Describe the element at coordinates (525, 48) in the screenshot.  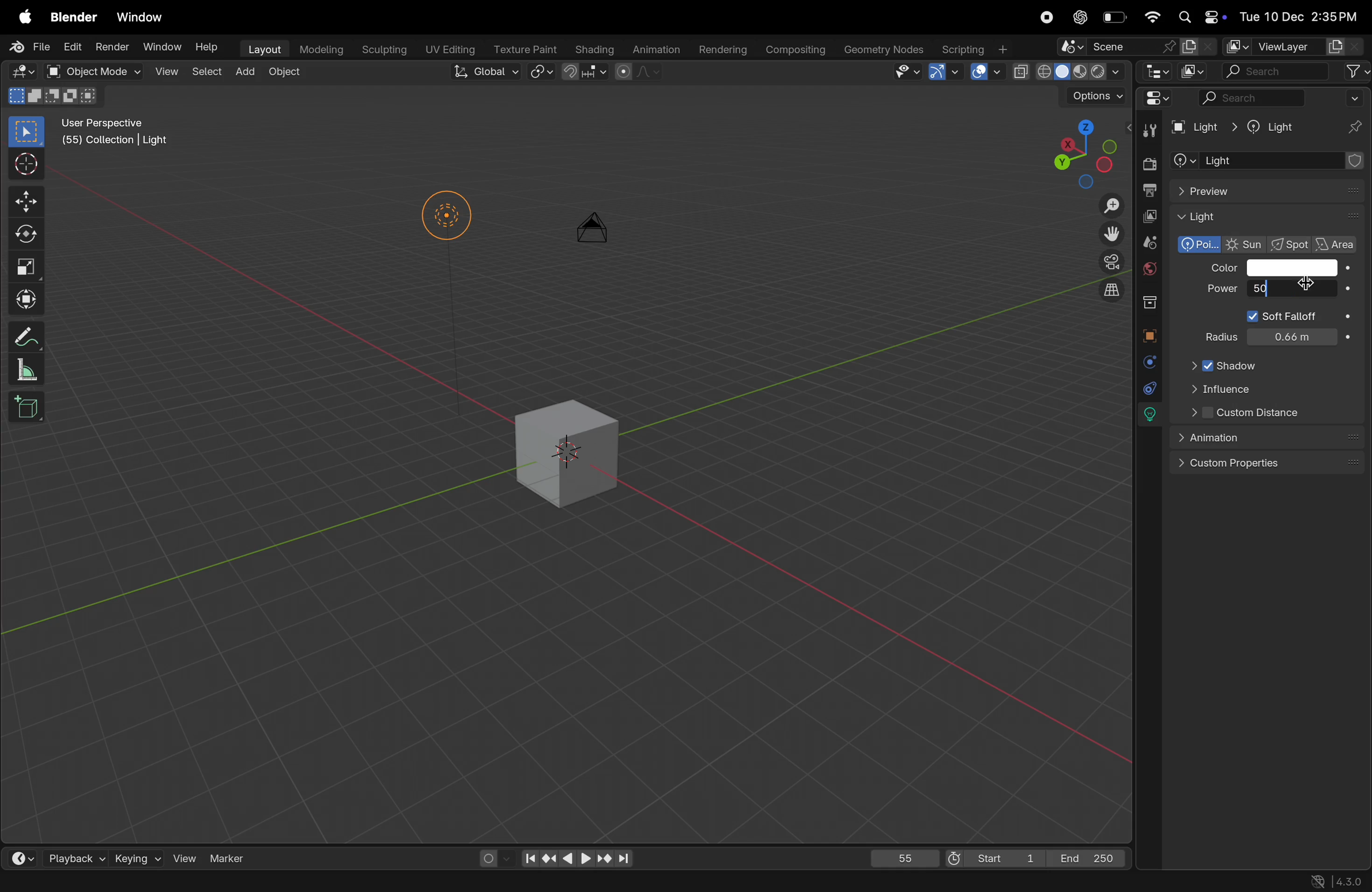
I see `Texture paint` at that location.